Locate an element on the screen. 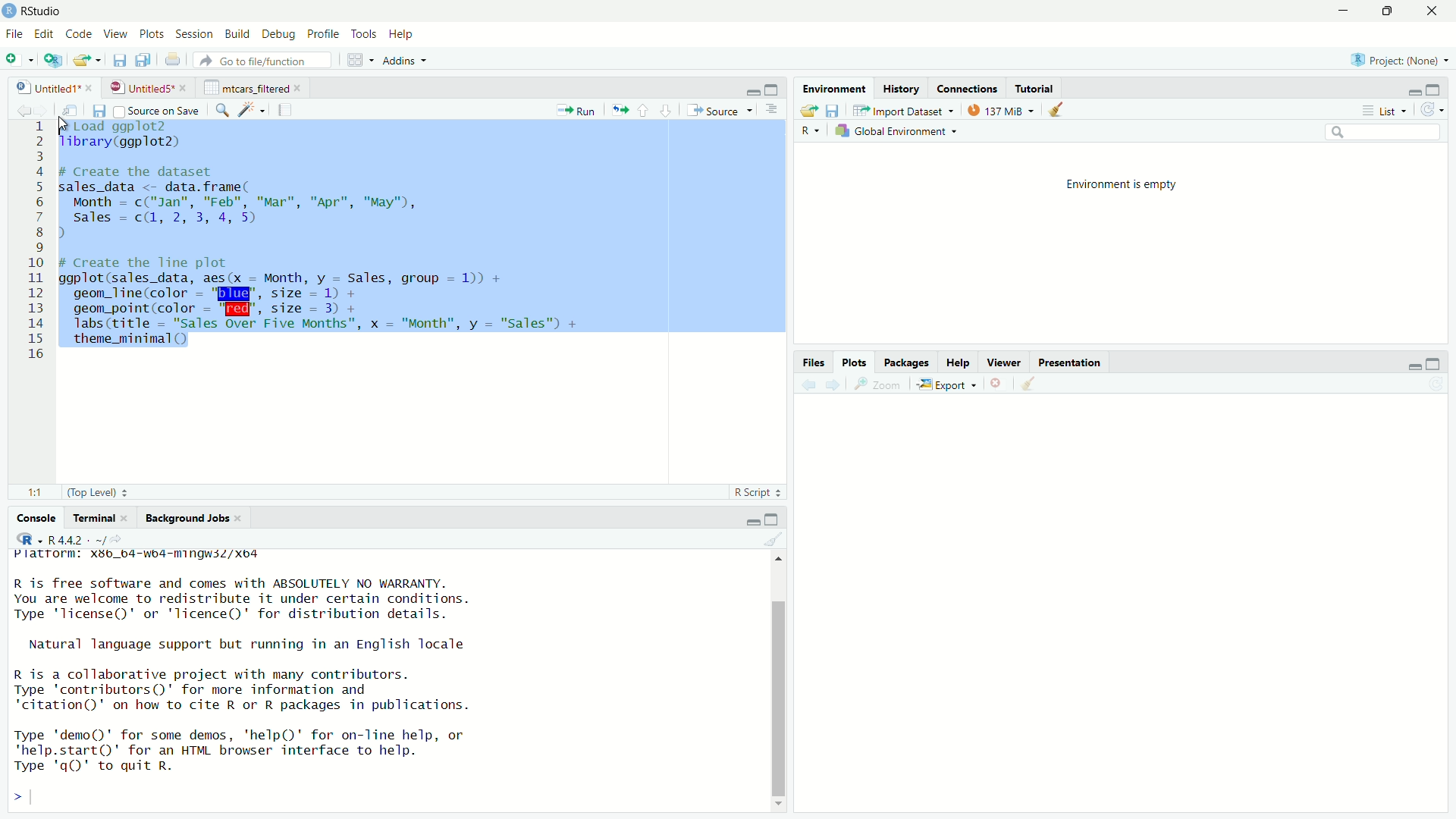 This screenshot has width=1456, height=819. open a existing file is located at coordinates (84, 61).